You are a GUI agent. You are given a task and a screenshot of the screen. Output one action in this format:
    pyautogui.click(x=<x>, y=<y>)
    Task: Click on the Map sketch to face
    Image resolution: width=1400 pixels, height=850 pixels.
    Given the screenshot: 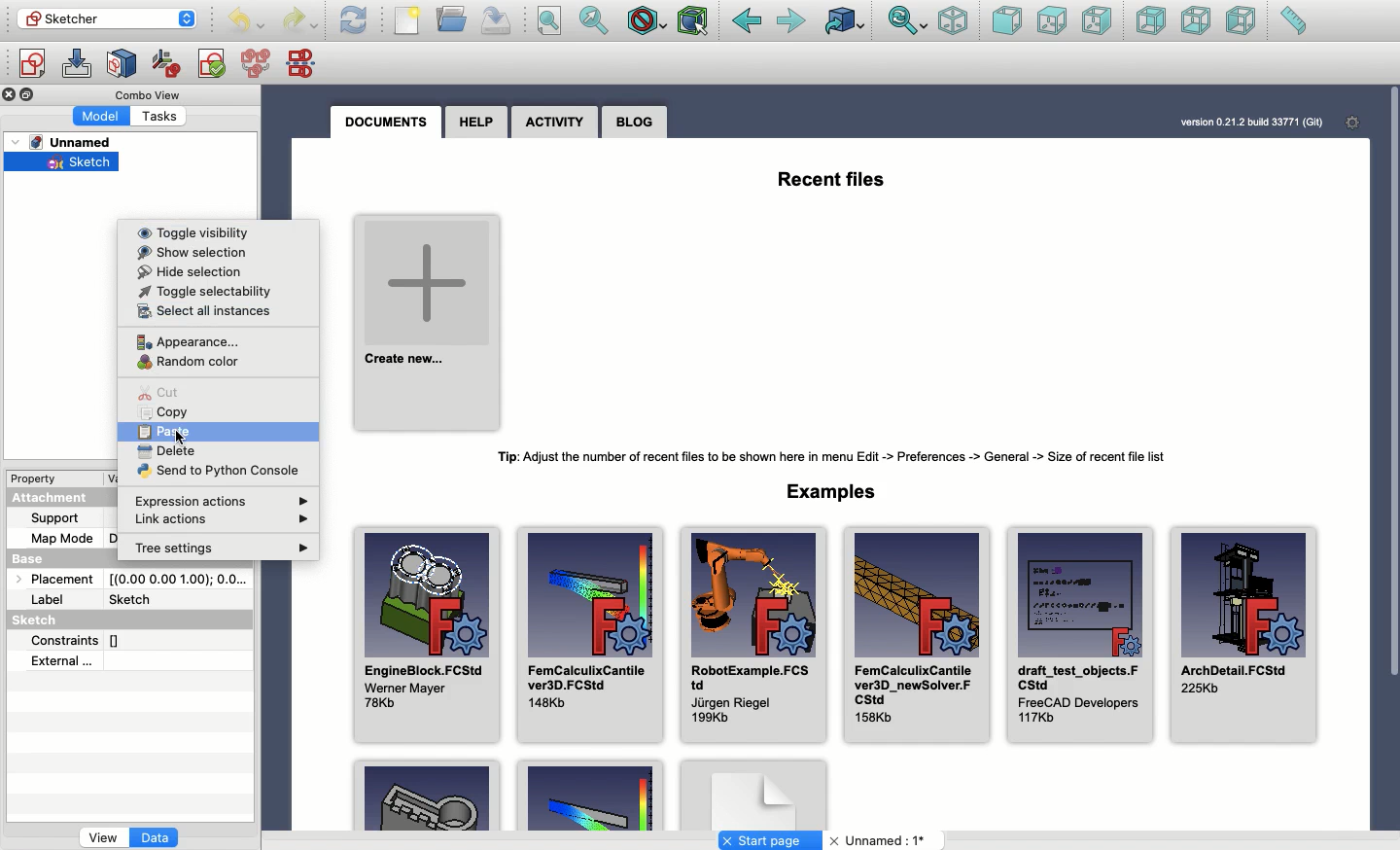 What is the action you would take?
    pyautogui.click(x=122, y=65)
    